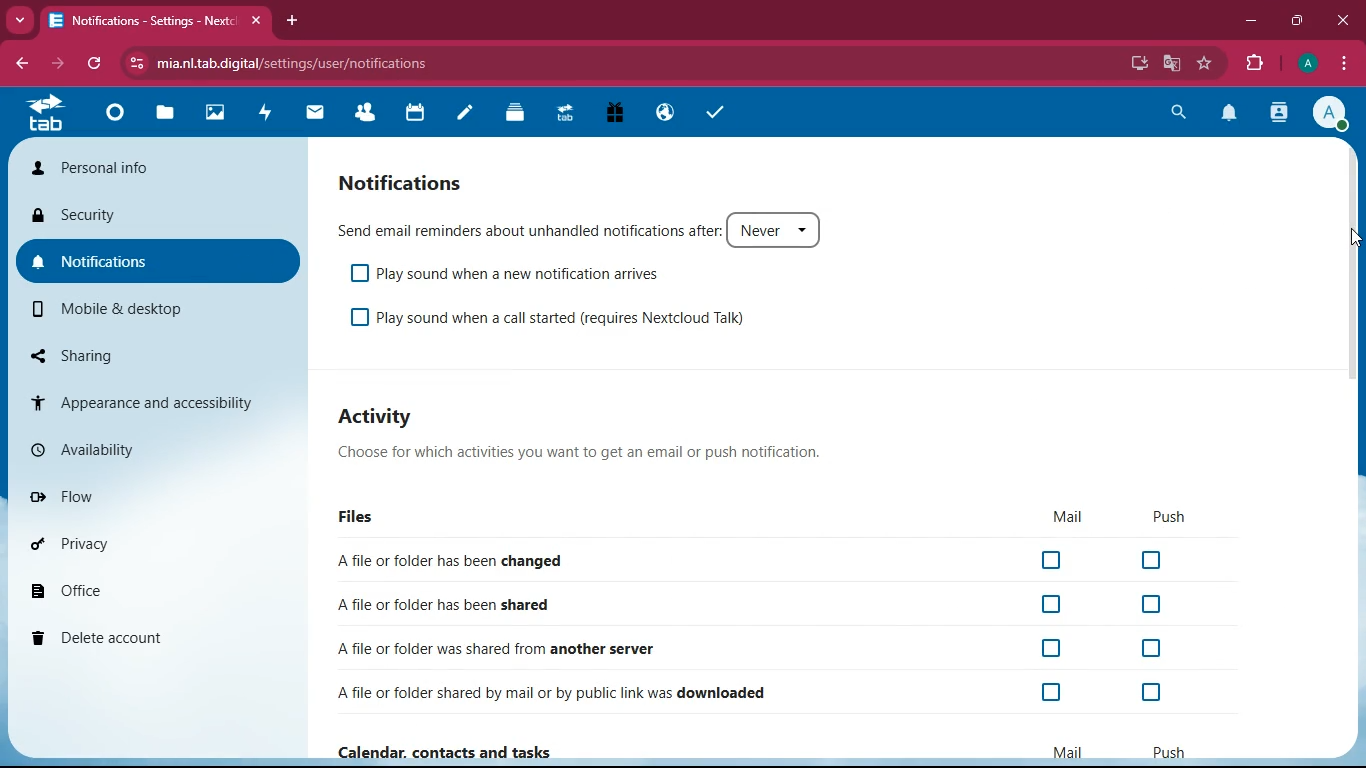 The height and width of the screenshot is (768, 1366). I want to click on google translate, so click(1174, 61).